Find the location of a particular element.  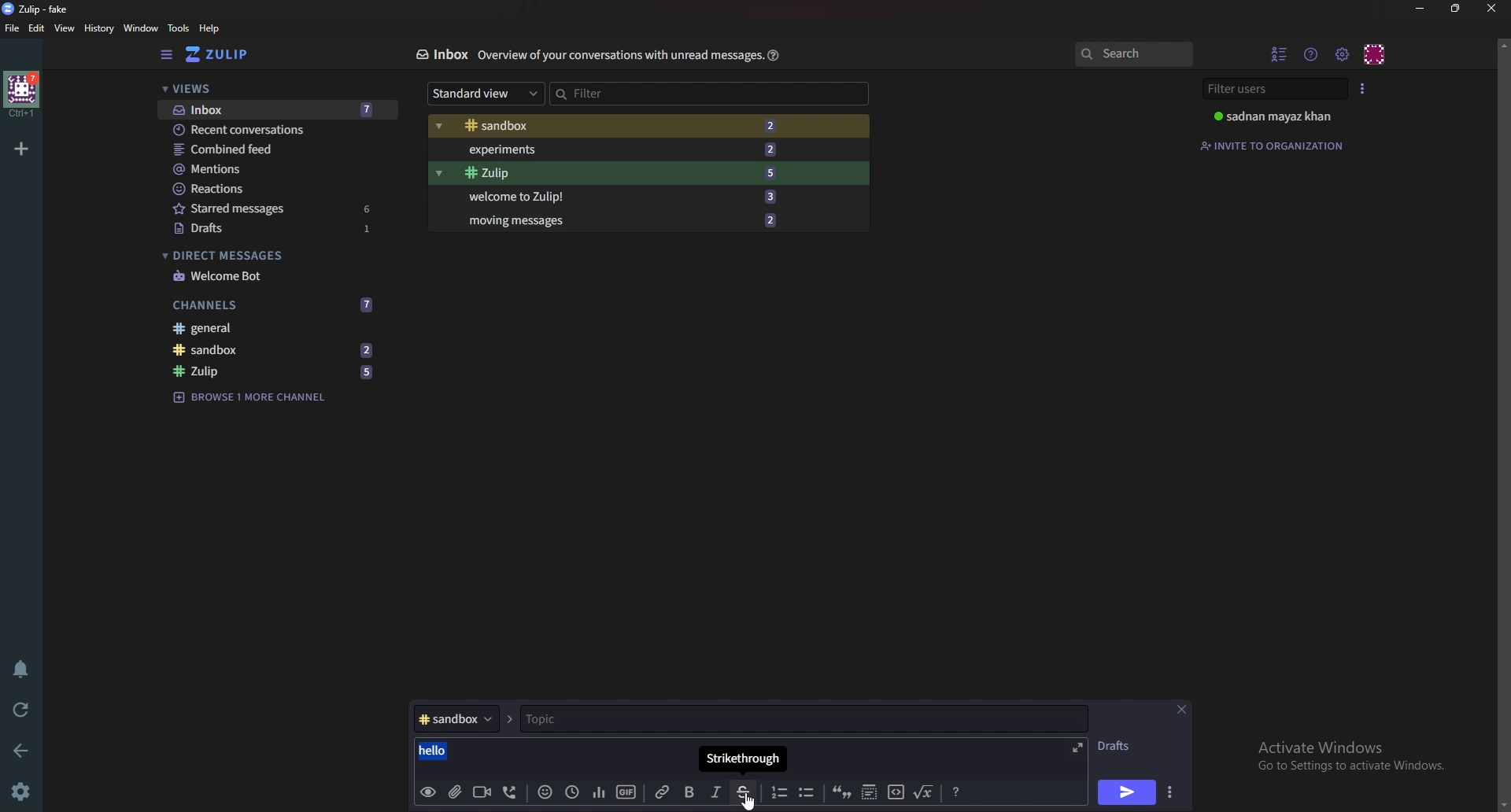

Tool tip is located at coordinates (742, 758).